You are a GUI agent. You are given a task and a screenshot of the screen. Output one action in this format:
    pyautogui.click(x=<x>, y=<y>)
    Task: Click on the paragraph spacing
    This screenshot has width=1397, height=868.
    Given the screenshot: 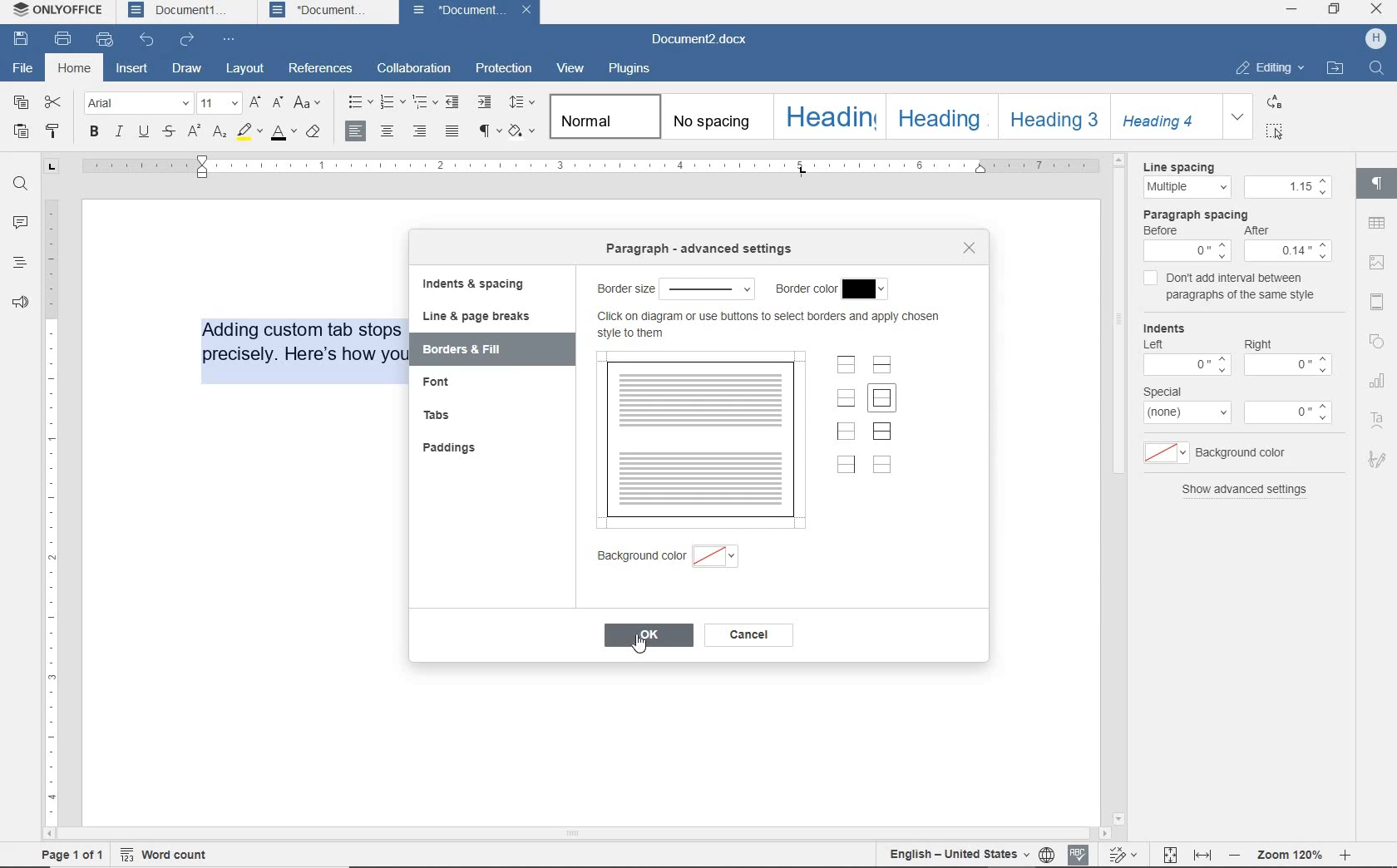 What is the action you would take?
    pyautogui.click(x=1197, y=214)
    